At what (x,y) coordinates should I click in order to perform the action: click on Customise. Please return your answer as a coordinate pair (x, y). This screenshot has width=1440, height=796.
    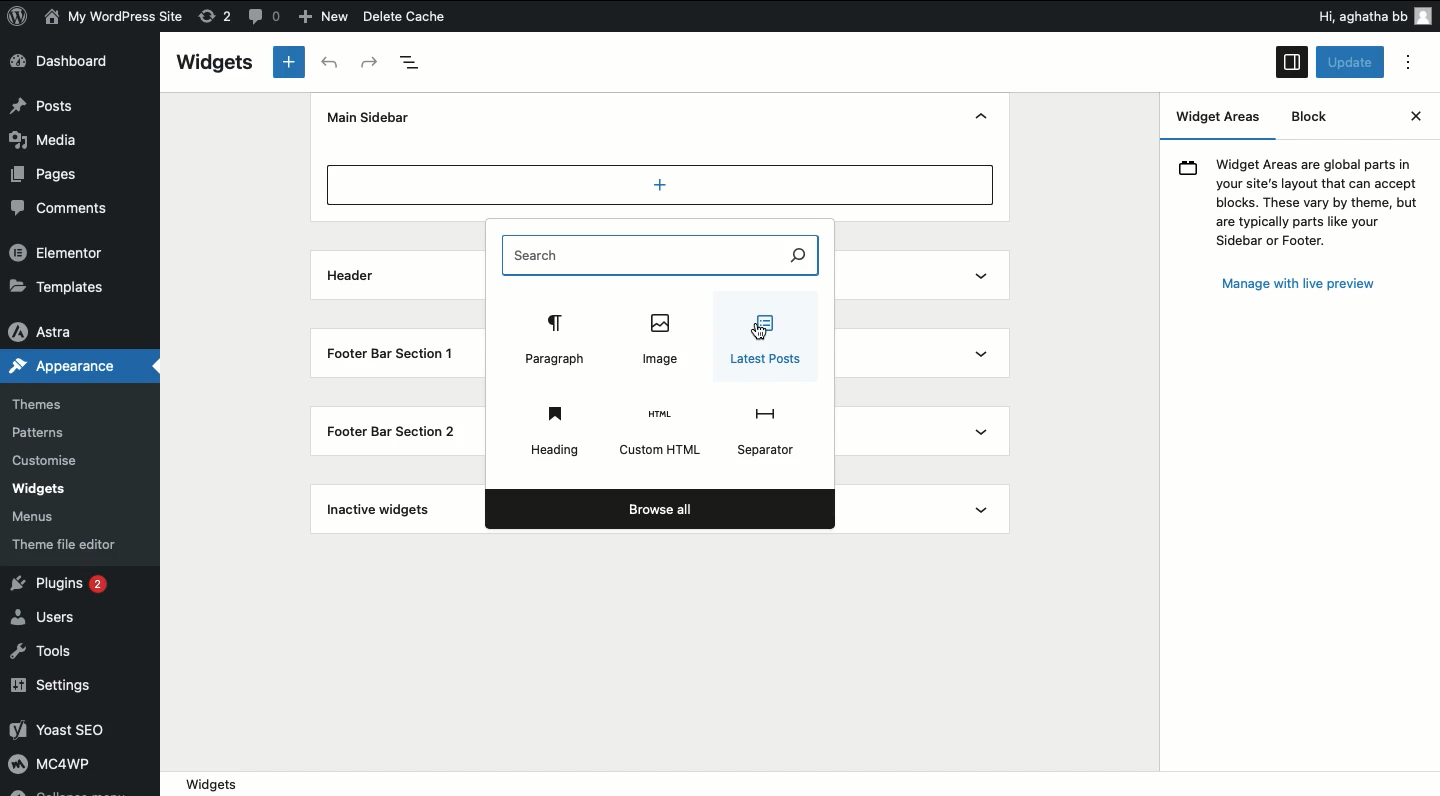
    Looking at the image, I should click on (46, 457).